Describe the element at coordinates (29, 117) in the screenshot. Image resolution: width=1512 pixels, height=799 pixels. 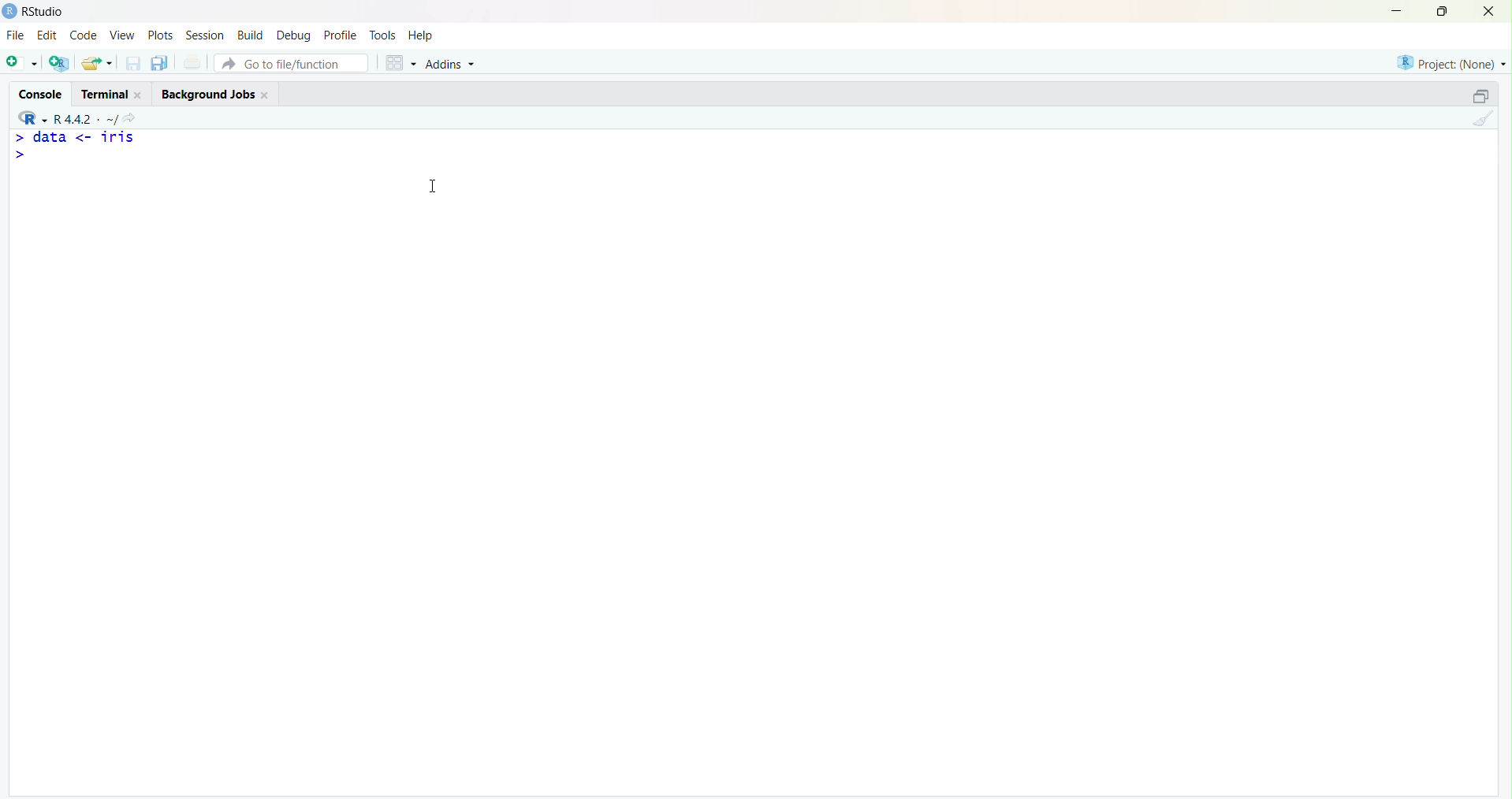
I see `RStudio logo` at that location.